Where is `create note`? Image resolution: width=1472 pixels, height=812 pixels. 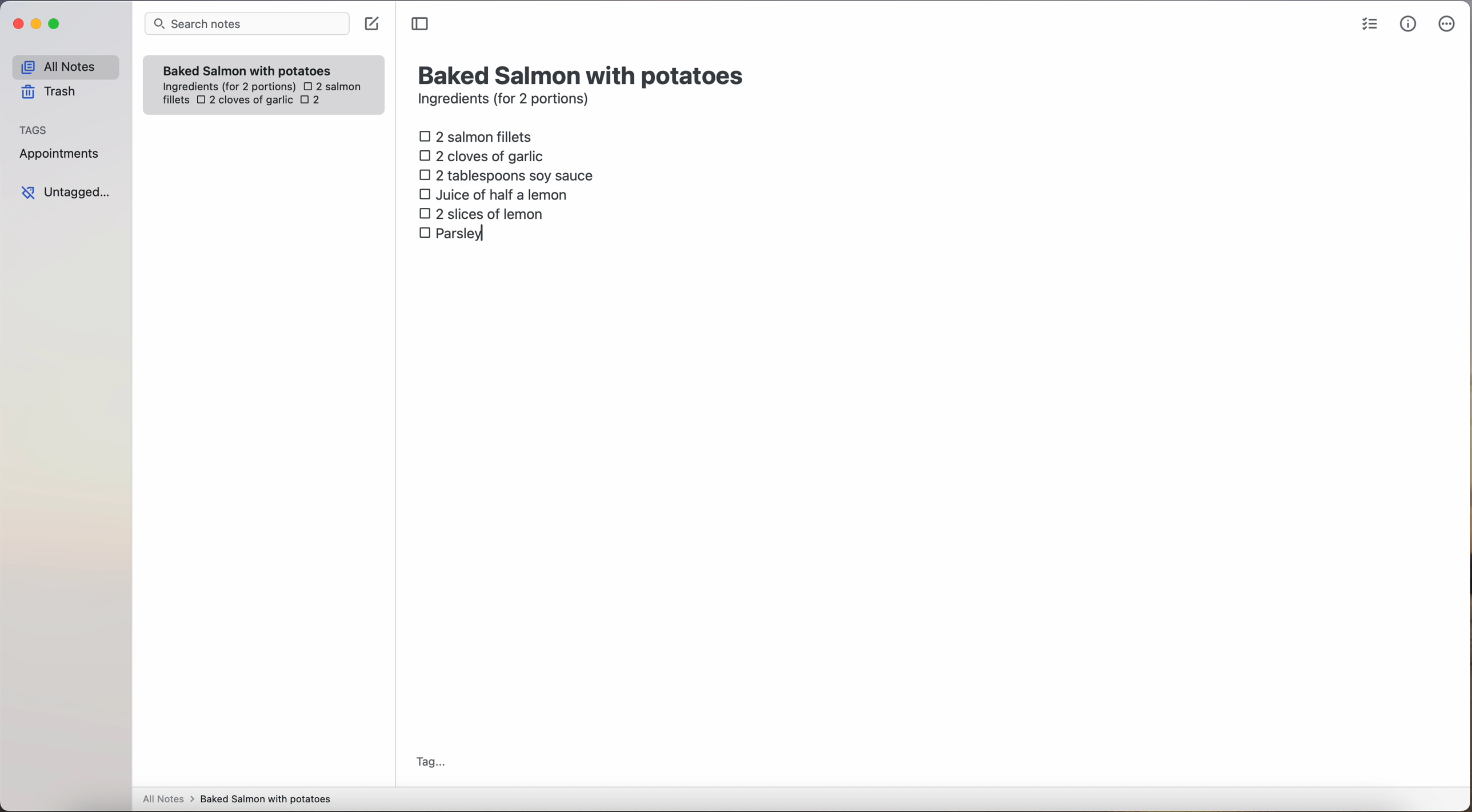
create note is located at coordinates (371, 24).